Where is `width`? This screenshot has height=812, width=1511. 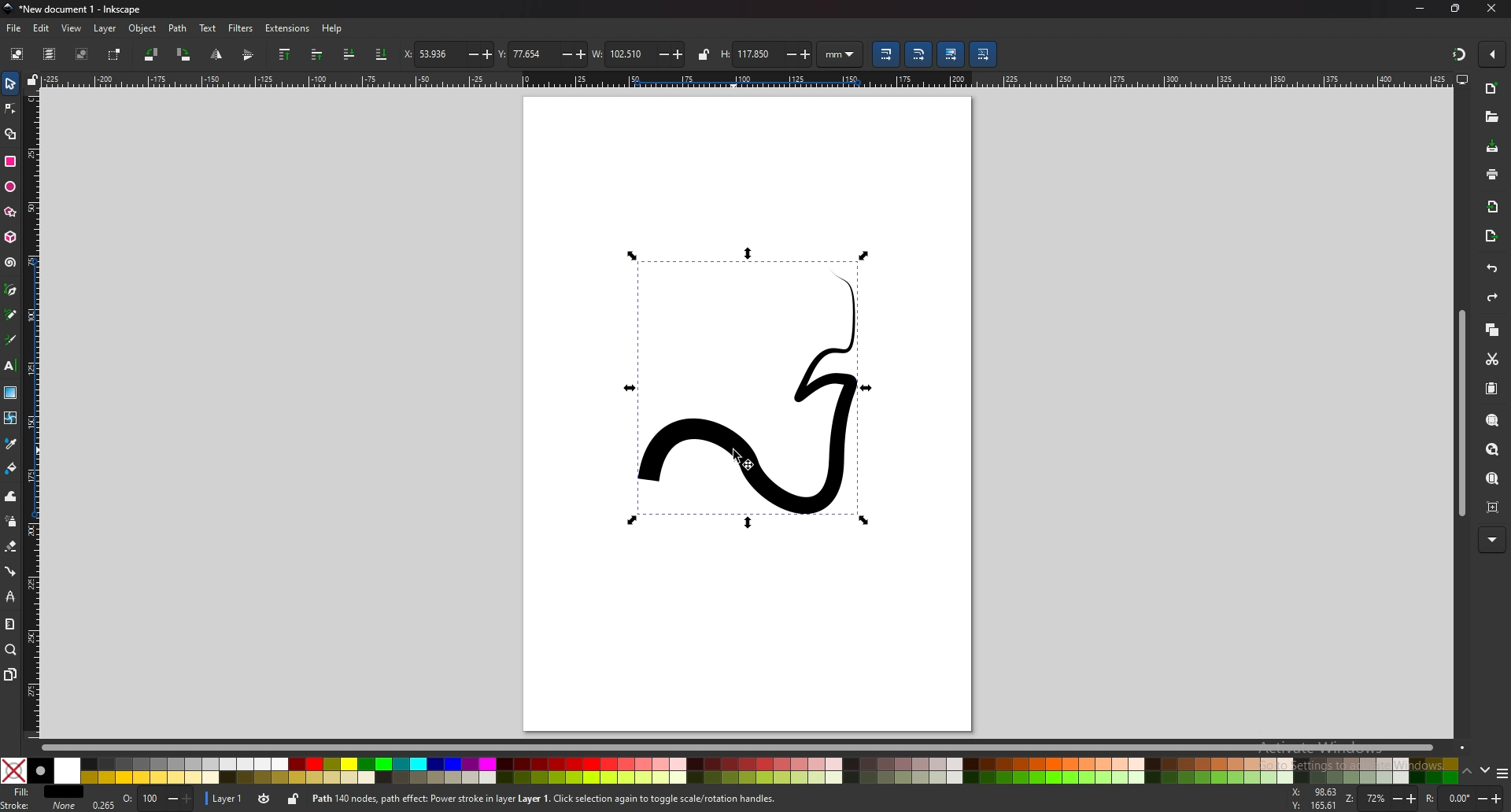 width is located at coordinates (637, 54).